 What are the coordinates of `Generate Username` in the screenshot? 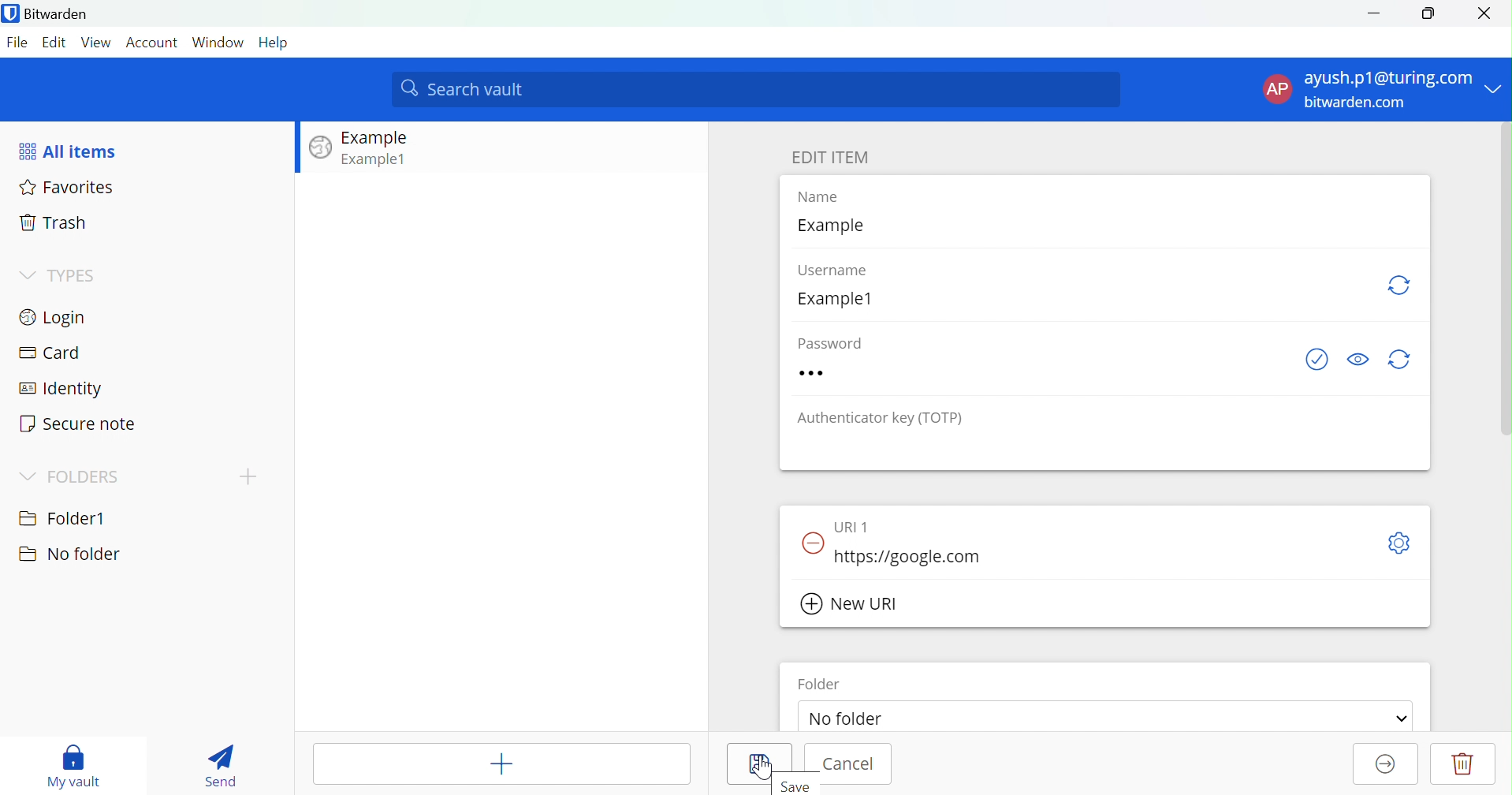 It's located at (1402, 286).